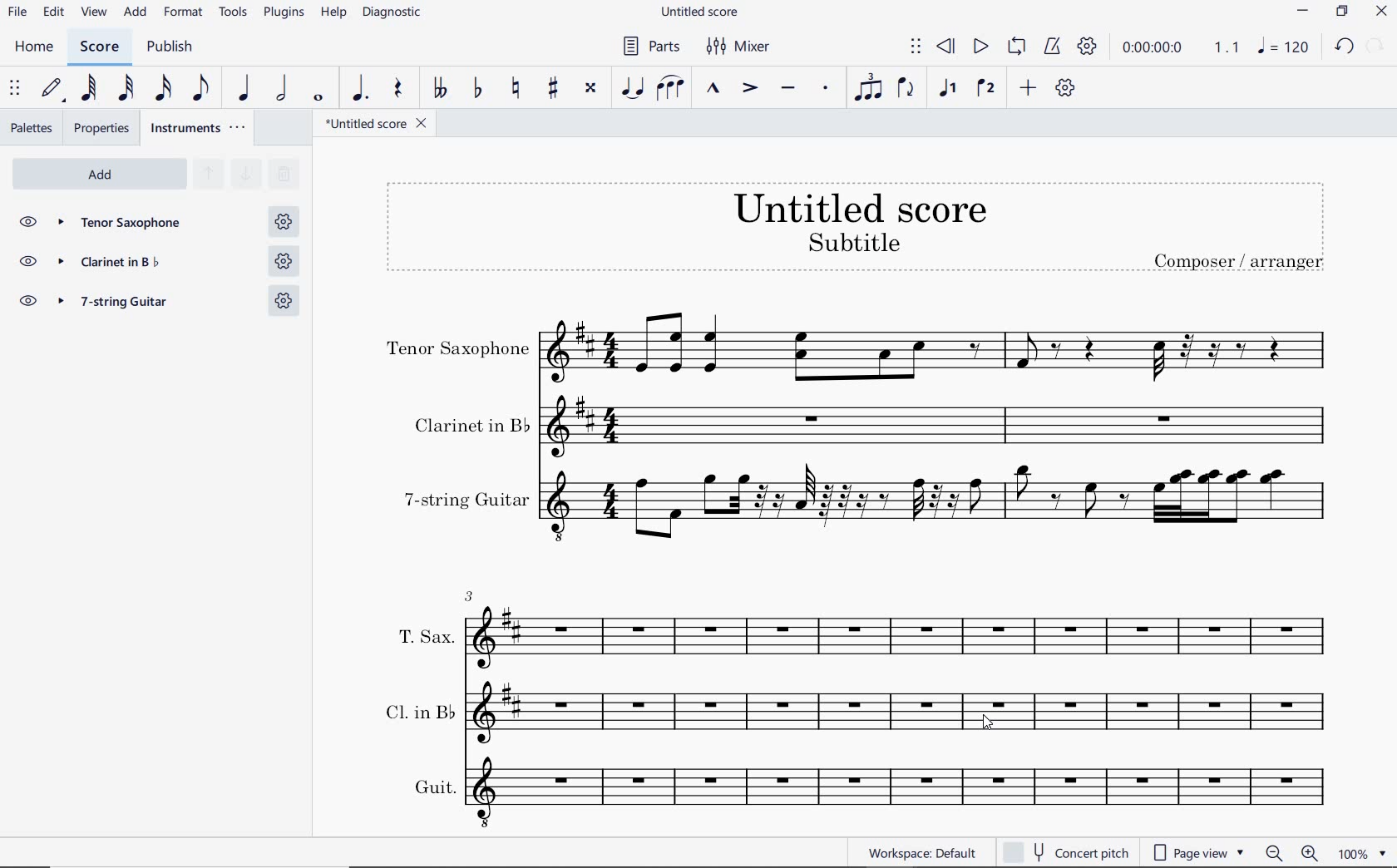 The height and width of the screenshot is (868, 1397). Describe the element at coordinates (320, 99) in the screenshot. I see `WHOLE NOTE` at that location.